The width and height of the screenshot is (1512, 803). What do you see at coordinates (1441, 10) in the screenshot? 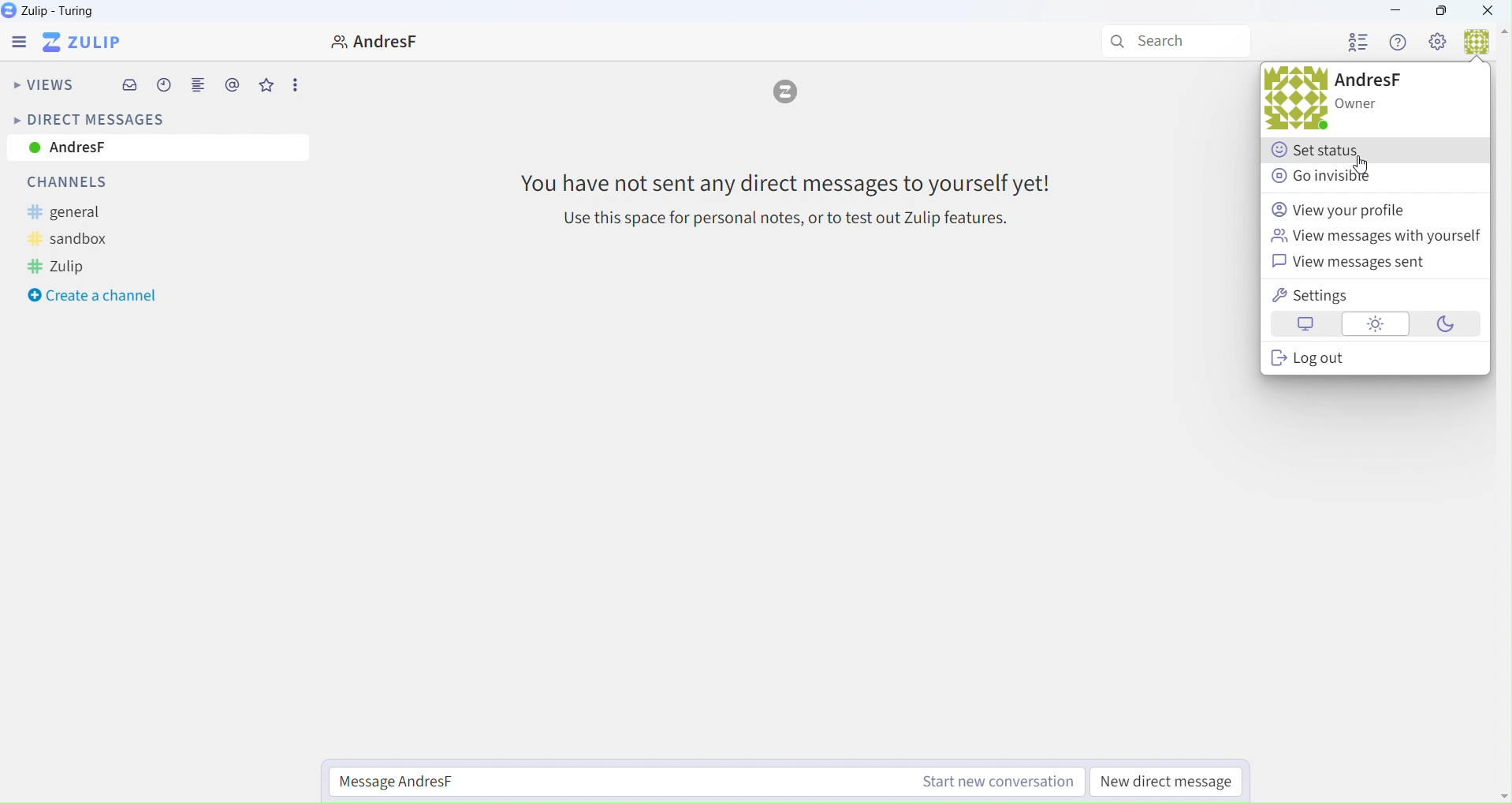
I see `Box` at bounding box center [1441, 10].